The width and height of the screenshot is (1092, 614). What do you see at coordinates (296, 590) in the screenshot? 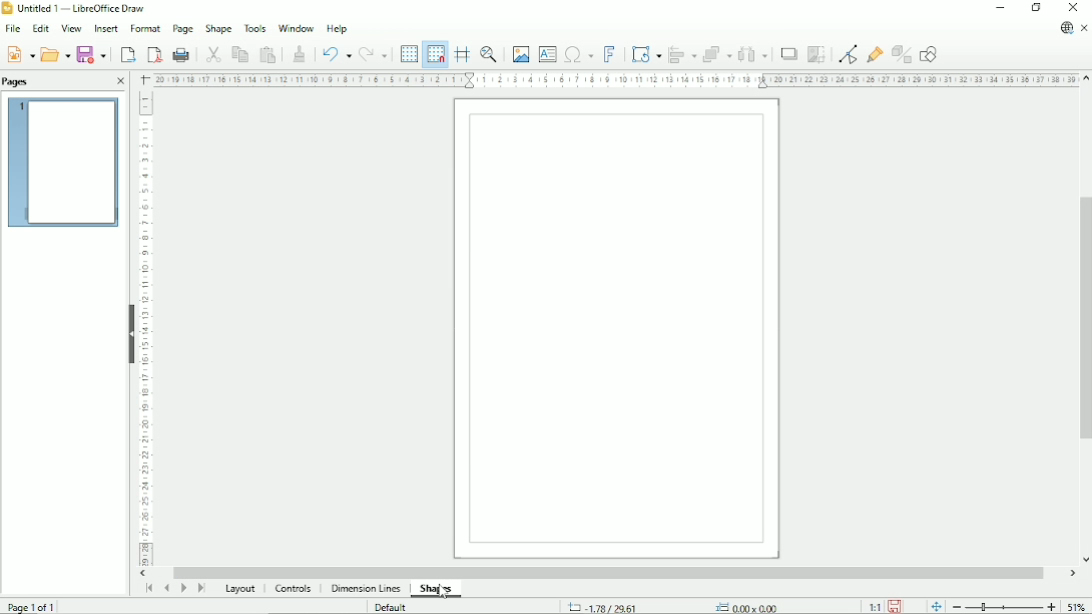
I see `Controls` at bounding box center [296, 590].